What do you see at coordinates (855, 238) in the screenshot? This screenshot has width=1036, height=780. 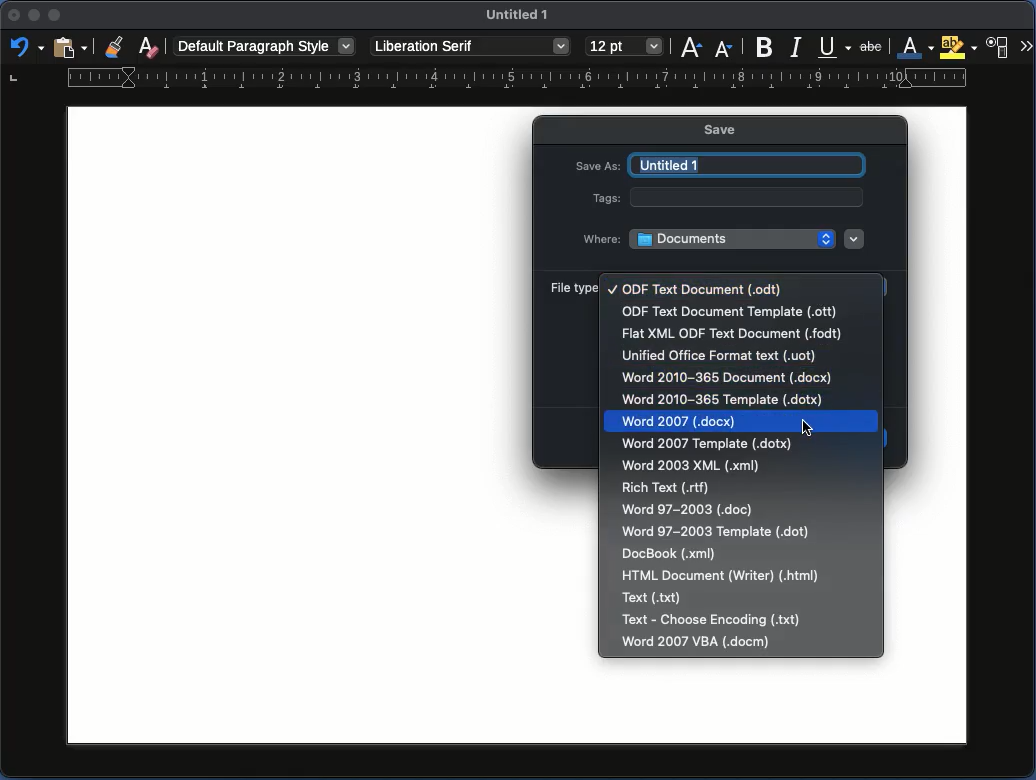 I see `Dropdown` at bounding box center [855, 238].